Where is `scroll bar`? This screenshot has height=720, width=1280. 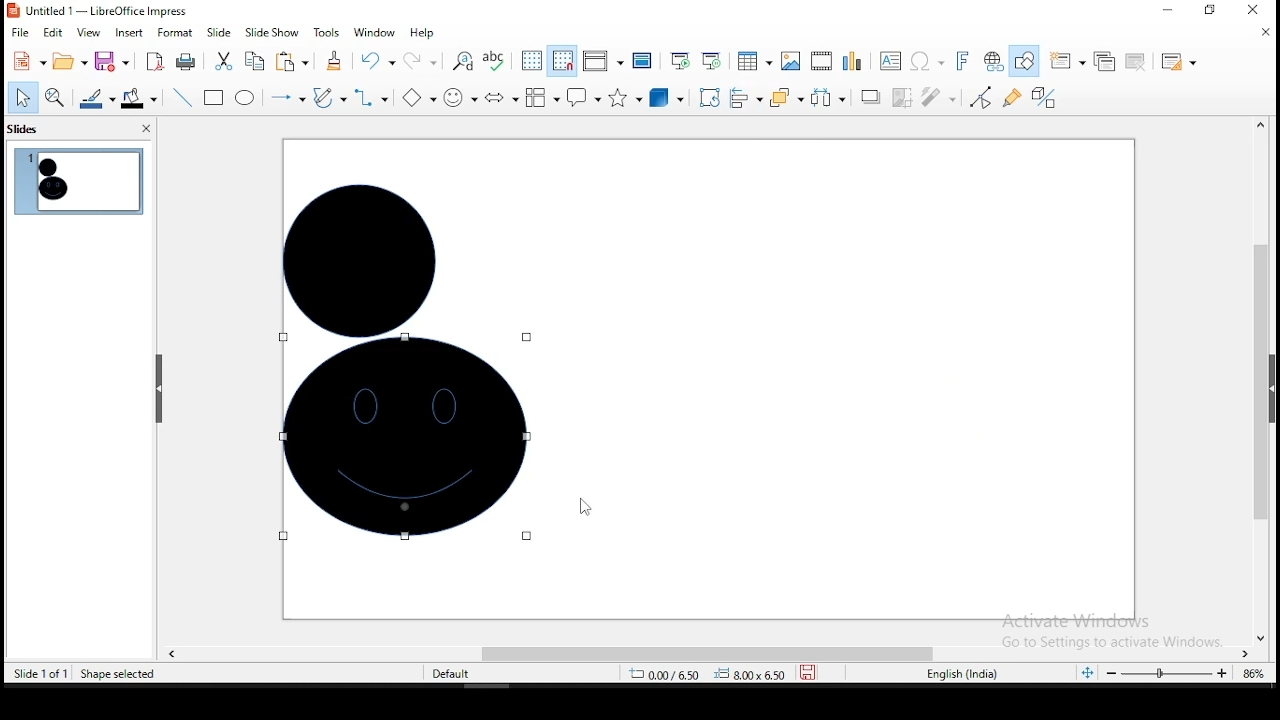 scroll bar is located at coordinates (703, 651).